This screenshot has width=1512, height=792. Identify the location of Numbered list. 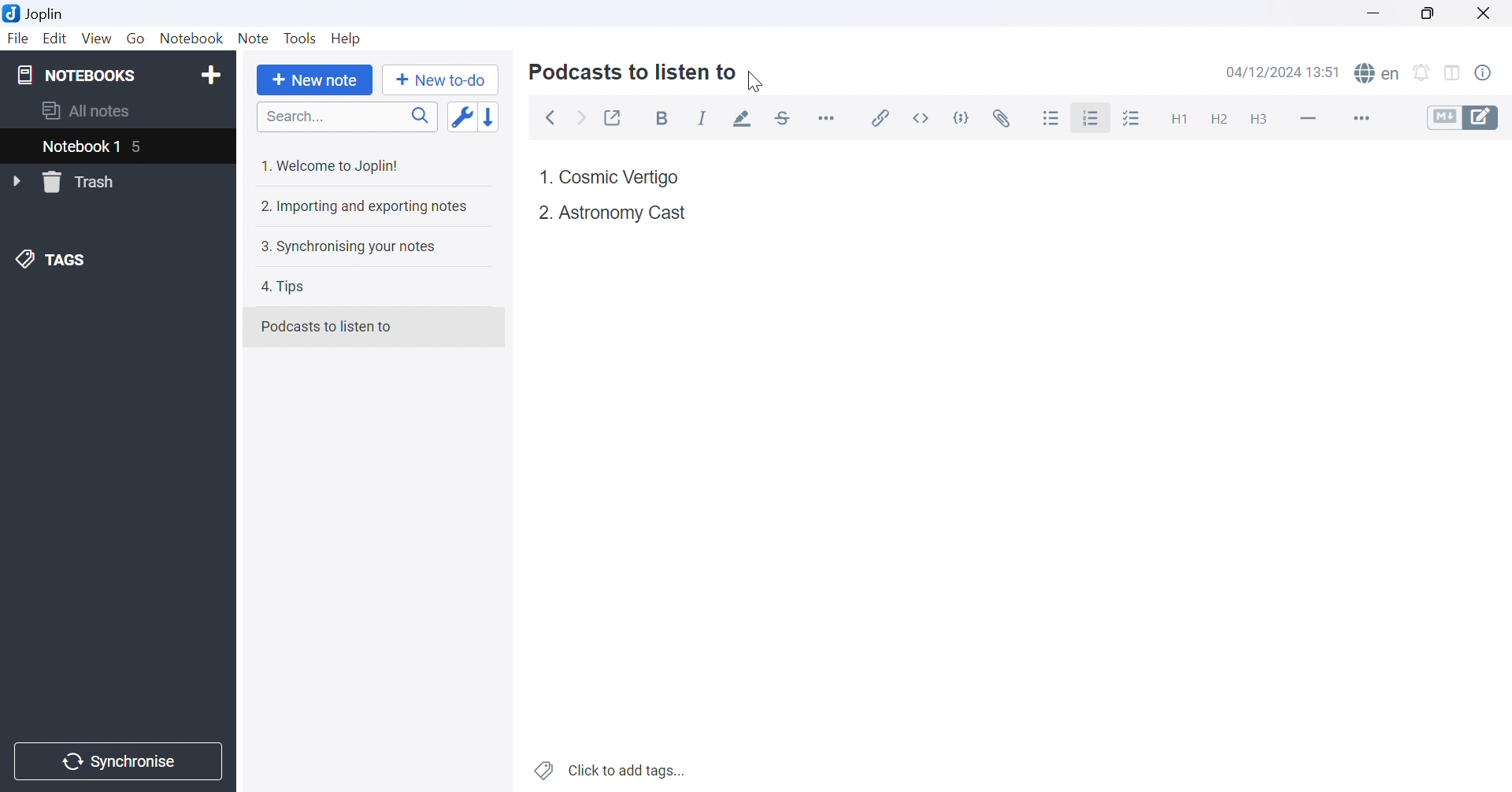
(1093, 117).